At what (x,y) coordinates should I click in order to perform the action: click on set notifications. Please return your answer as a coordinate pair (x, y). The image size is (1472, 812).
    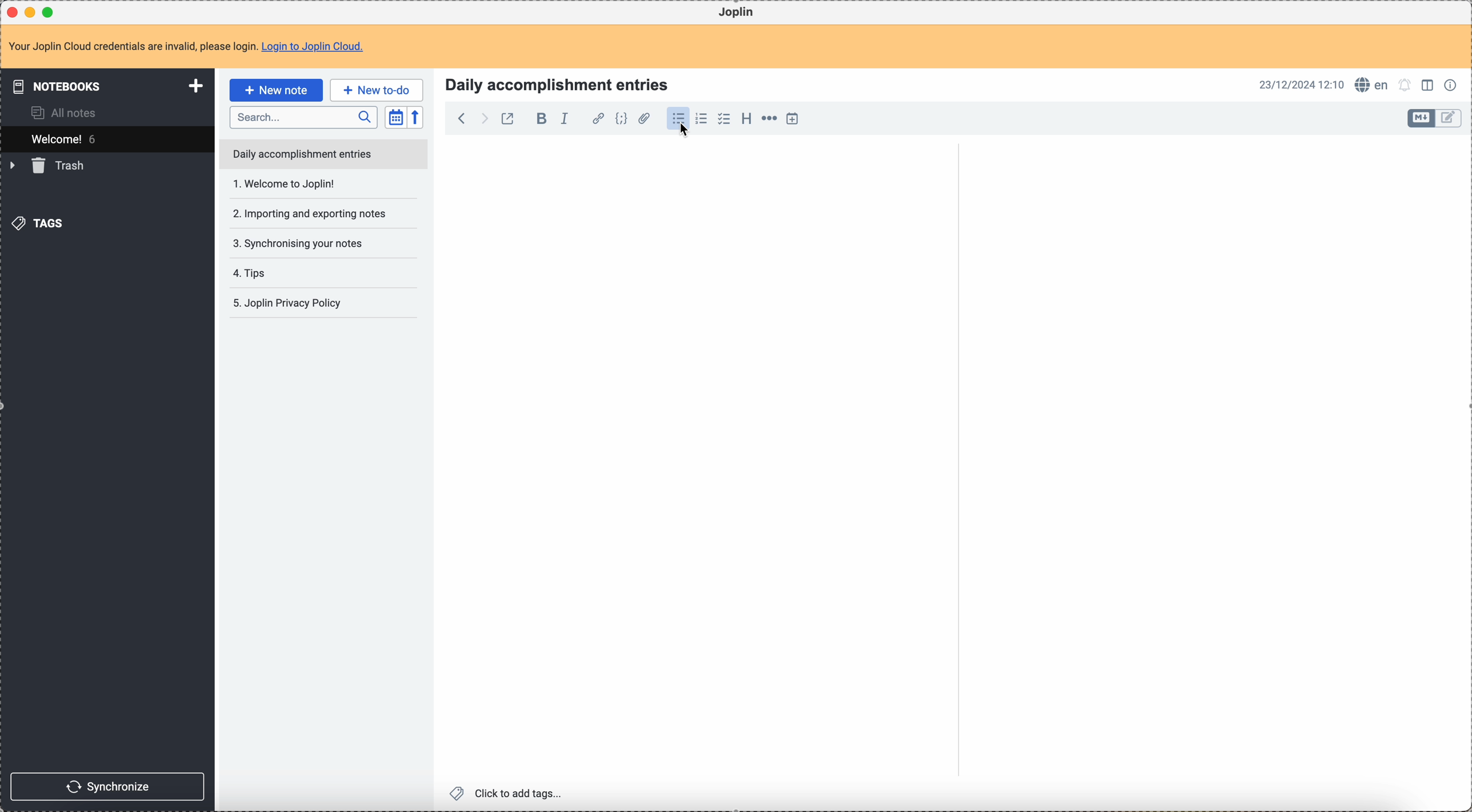
    Looking at the image, I should click on (1406, 86).